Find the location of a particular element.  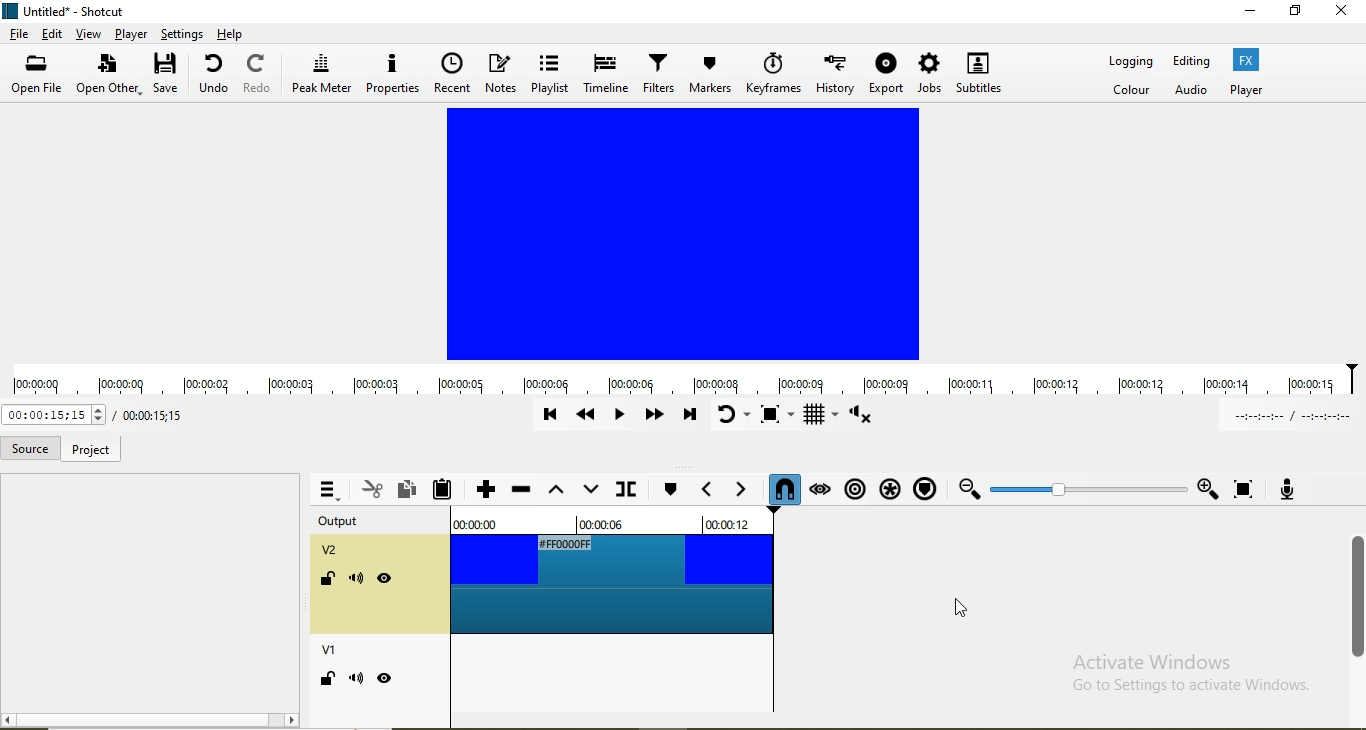

recent is located at coordinates (452, 73).